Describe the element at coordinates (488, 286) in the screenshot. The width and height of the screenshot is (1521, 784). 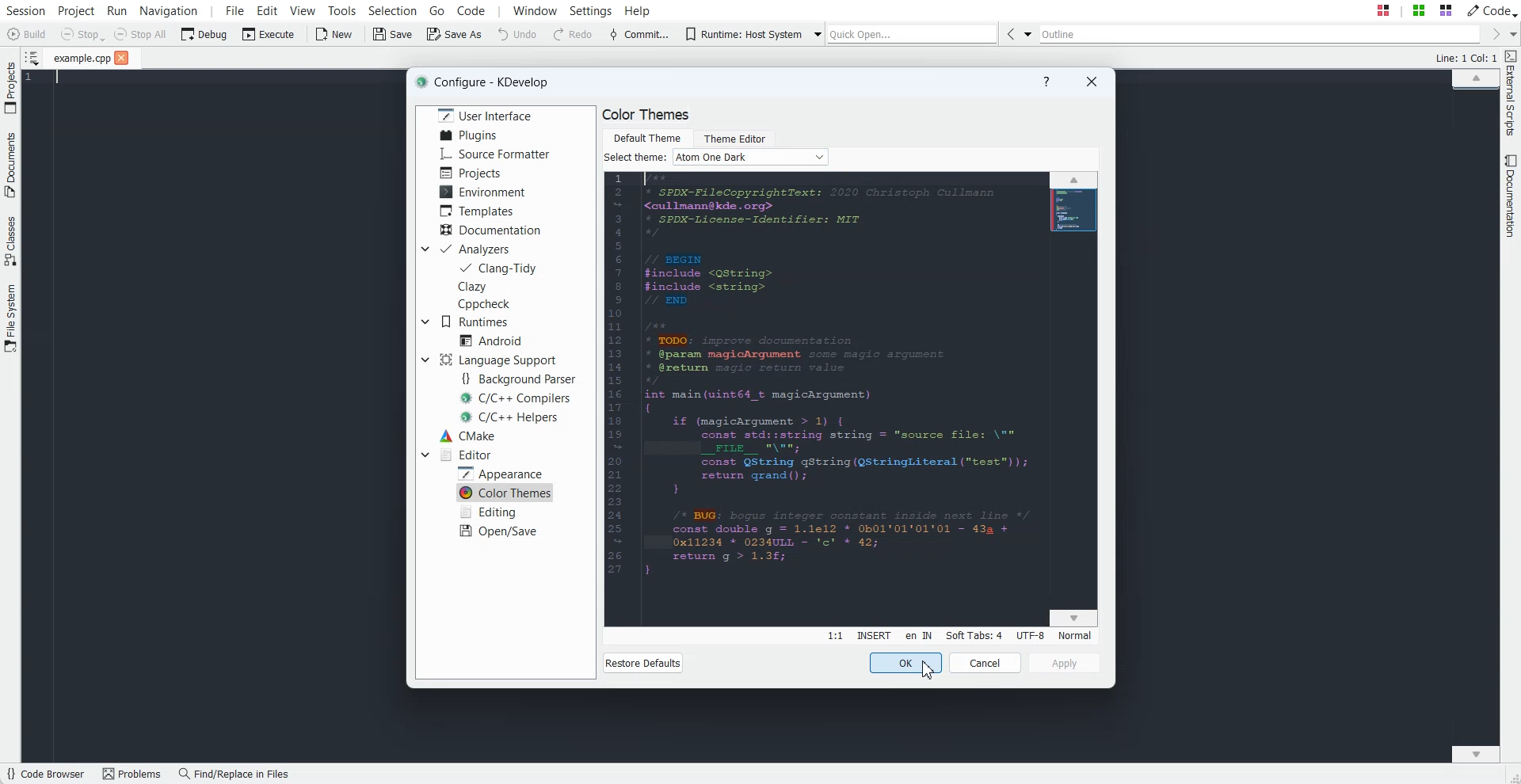
I see `Clazy` at that location.